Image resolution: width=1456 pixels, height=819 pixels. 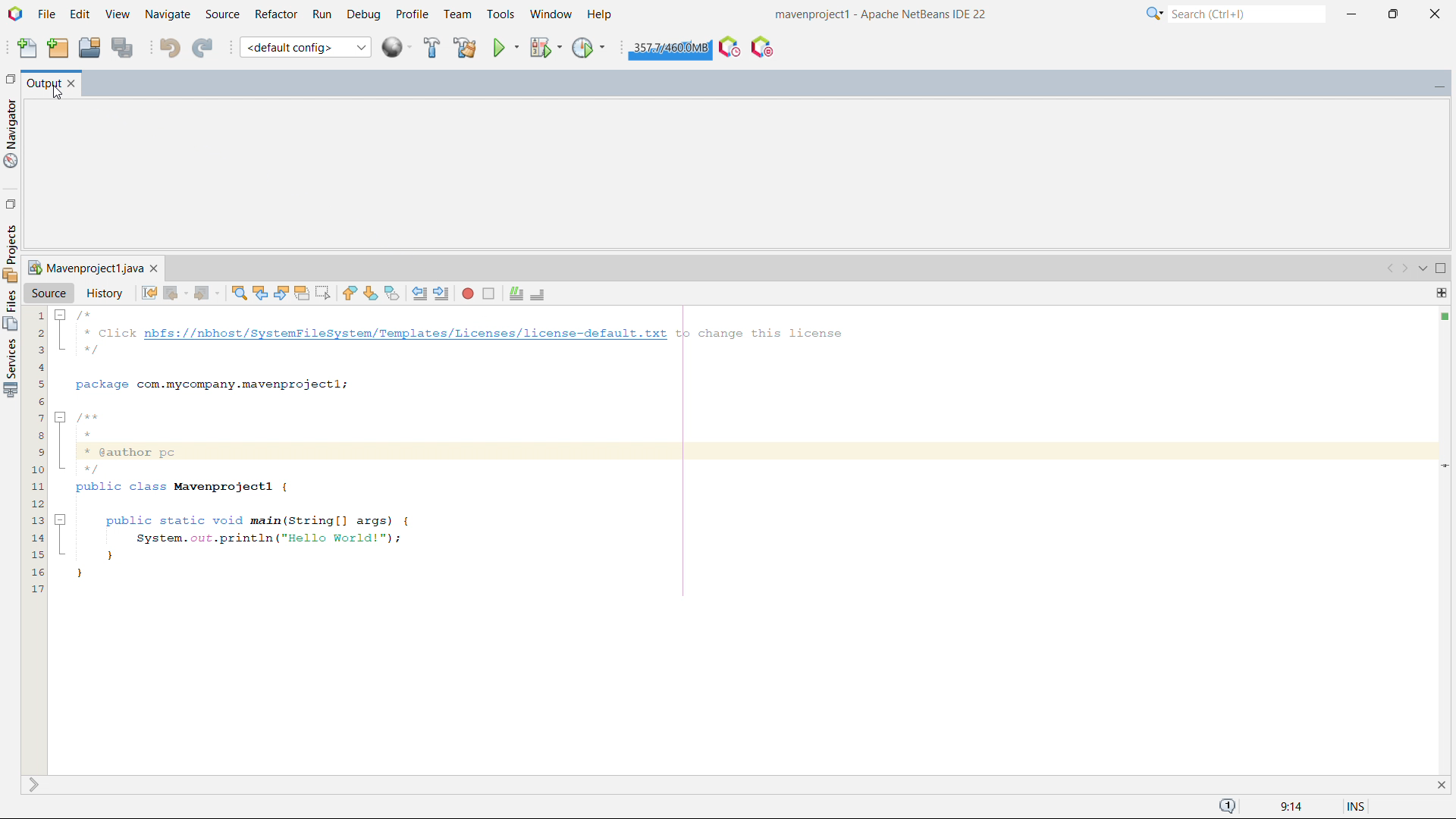 I want to click on source, so click(x=49, y=292).